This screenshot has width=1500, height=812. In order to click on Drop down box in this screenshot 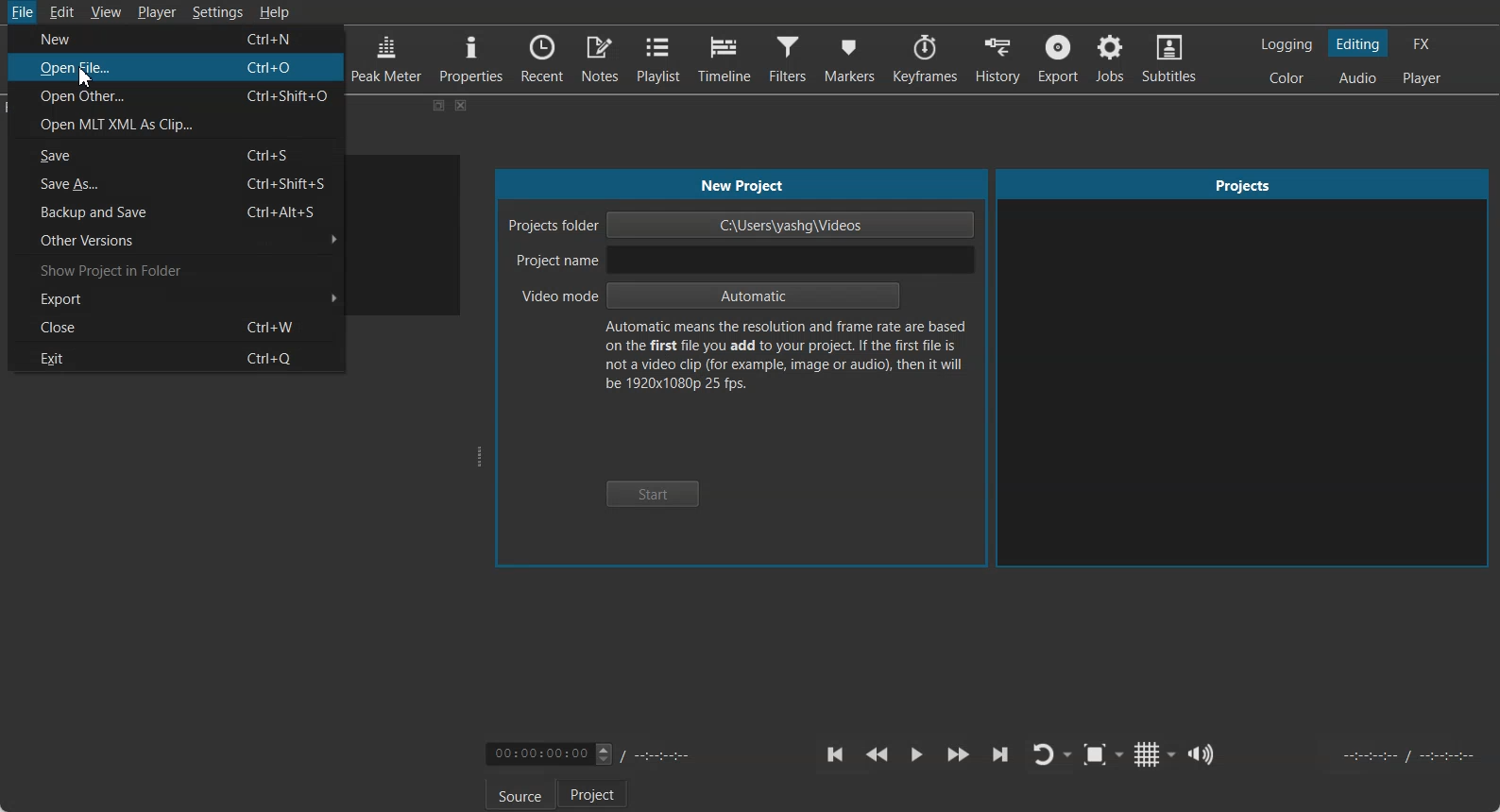, I will do `click(1172, 754)`.